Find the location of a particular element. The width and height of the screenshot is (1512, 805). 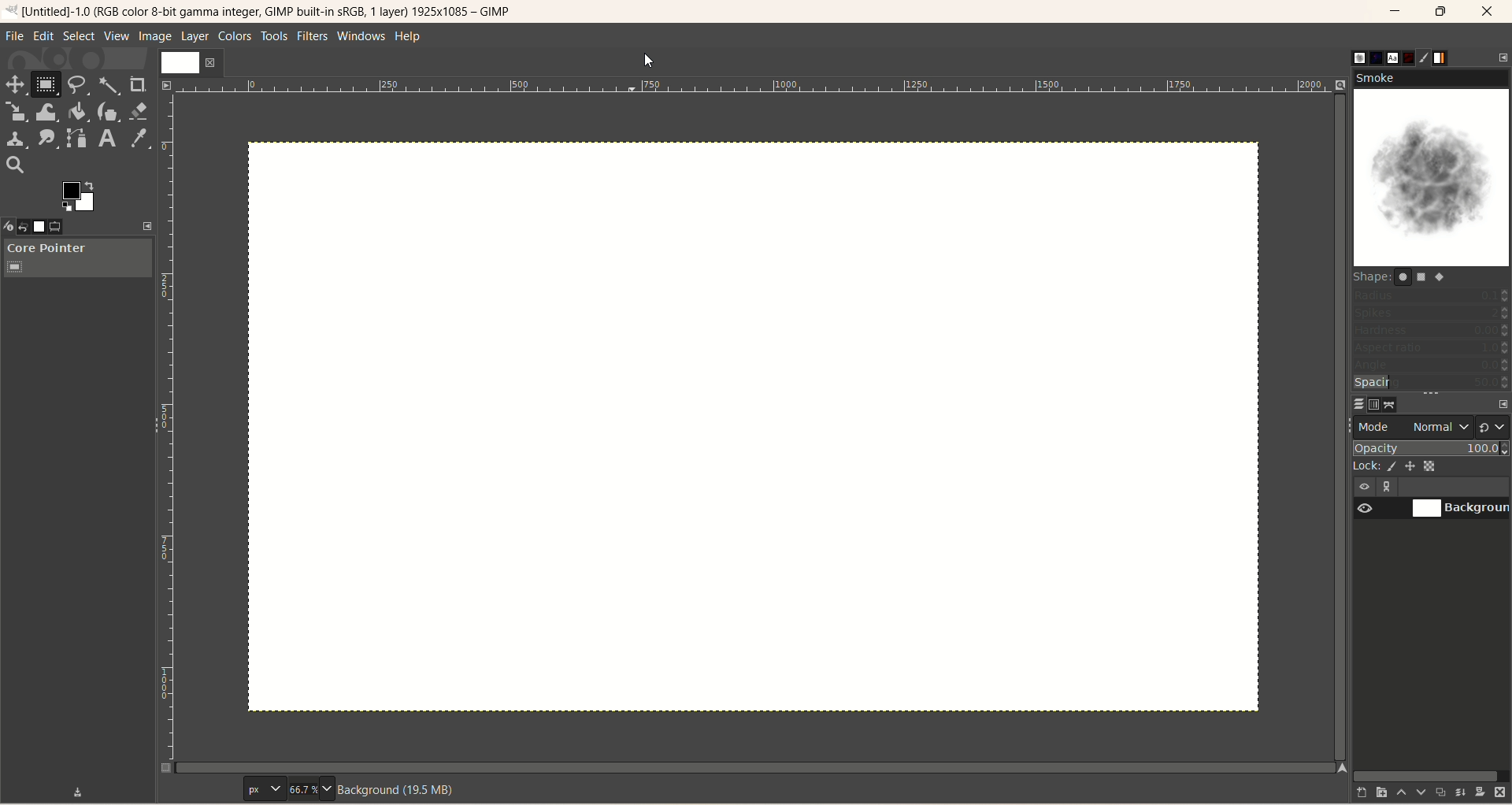

canvas is located at coordinates (752, 425).